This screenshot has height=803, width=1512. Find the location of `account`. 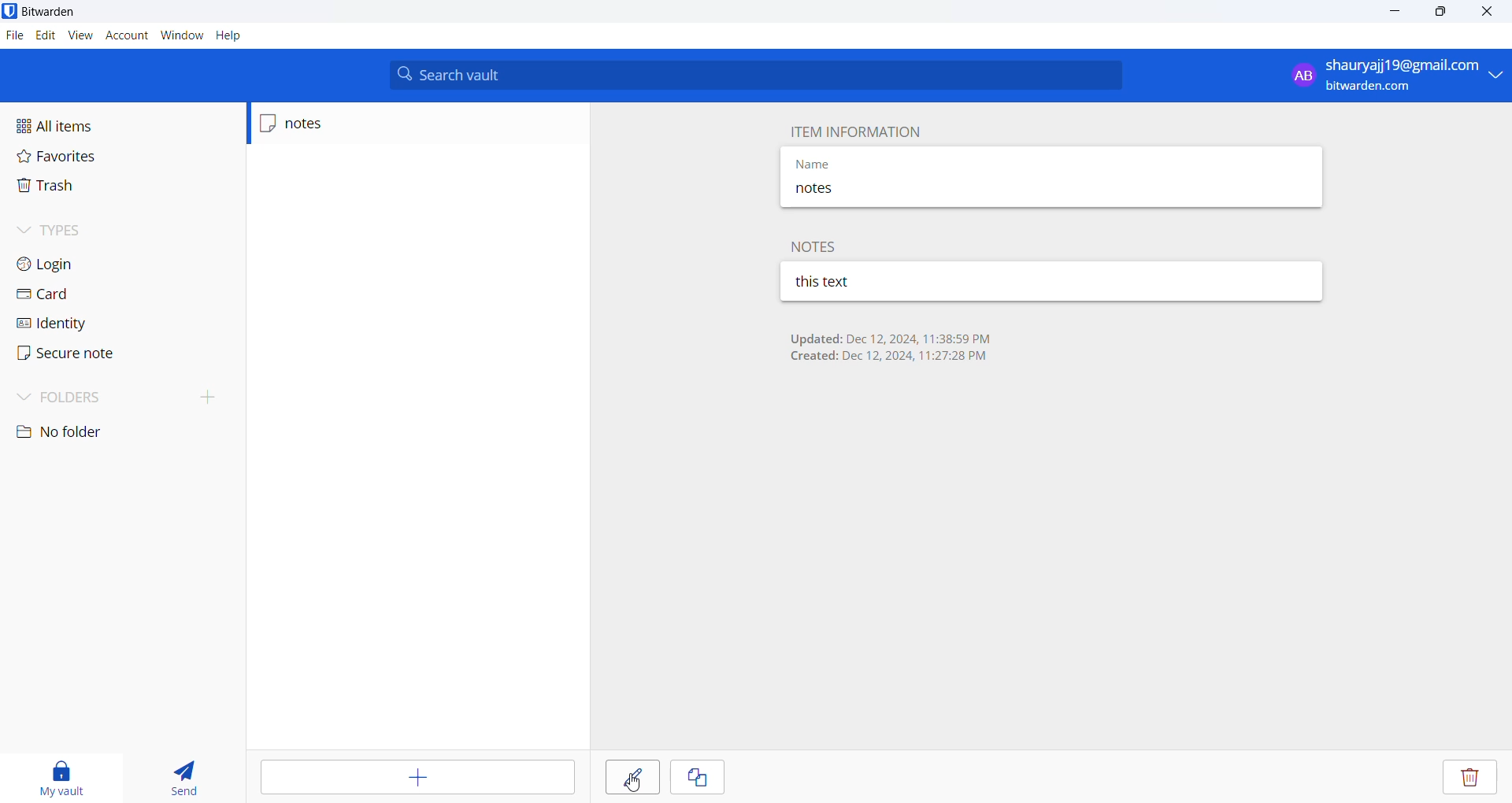

account is located at coordinates (124, 35).